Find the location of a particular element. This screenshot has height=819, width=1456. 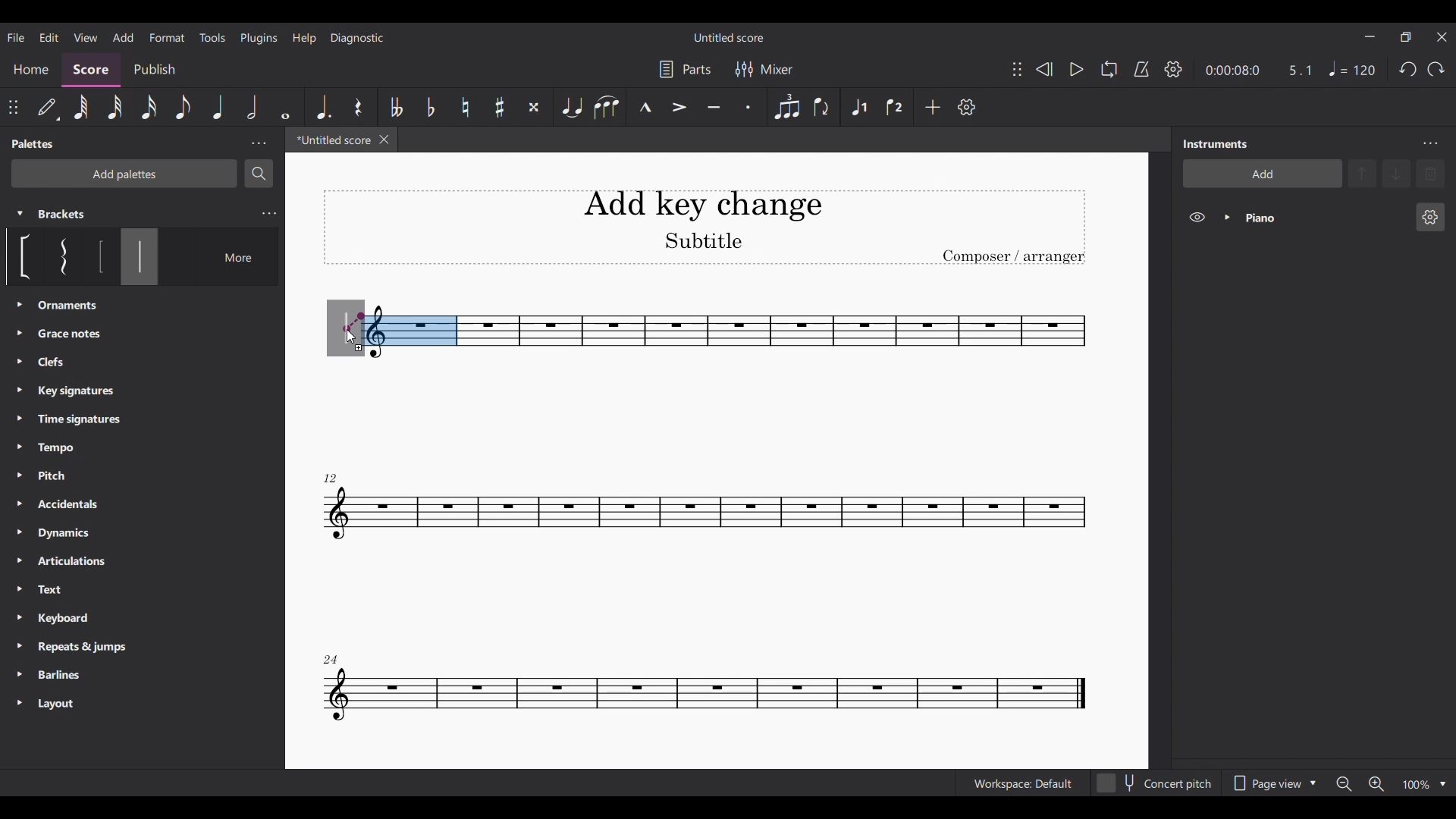

Description of current selection is located at coordinates (140, 307).